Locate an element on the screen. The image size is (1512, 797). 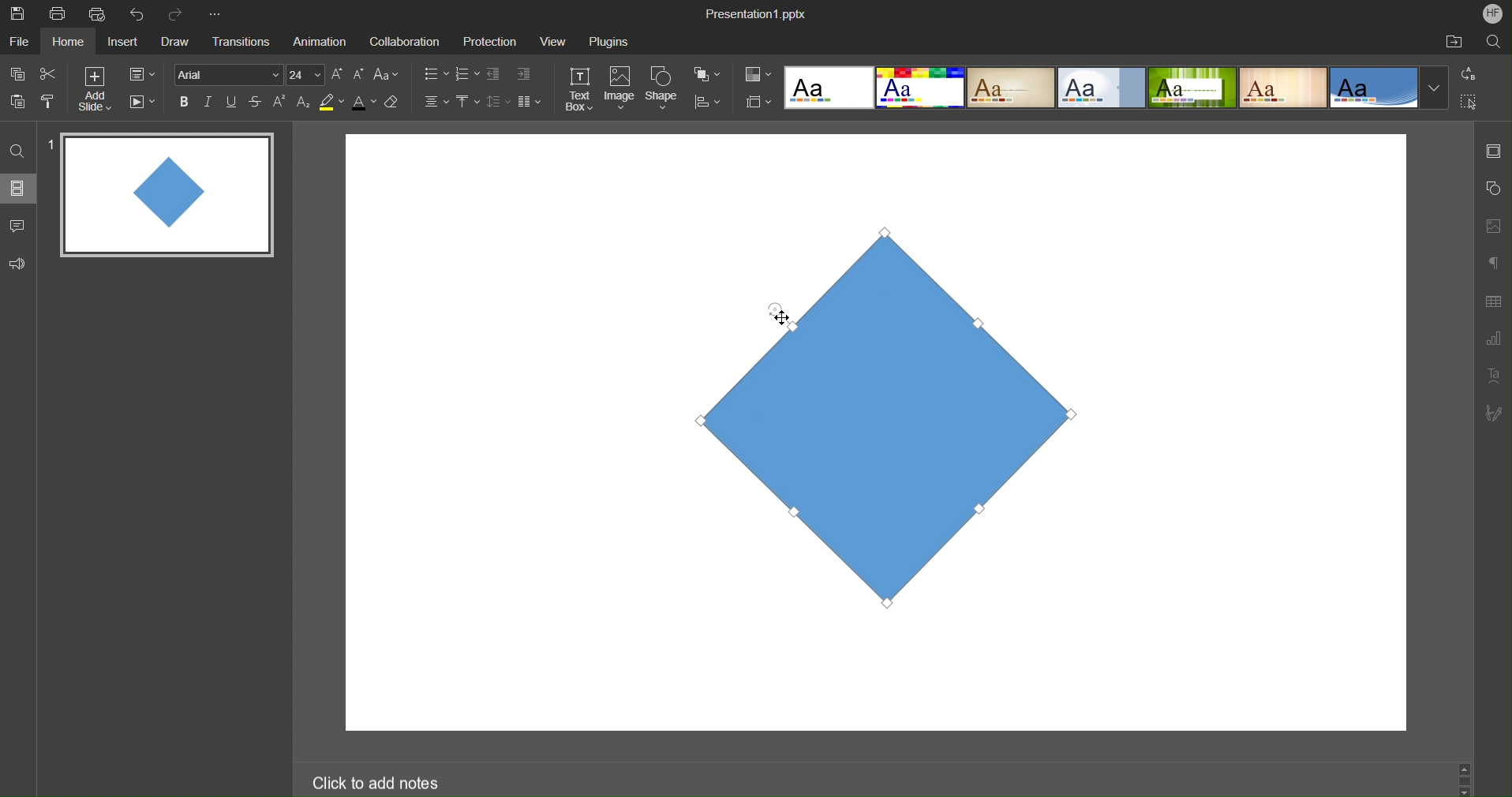
Plugins is located at coordinates (608, 39).